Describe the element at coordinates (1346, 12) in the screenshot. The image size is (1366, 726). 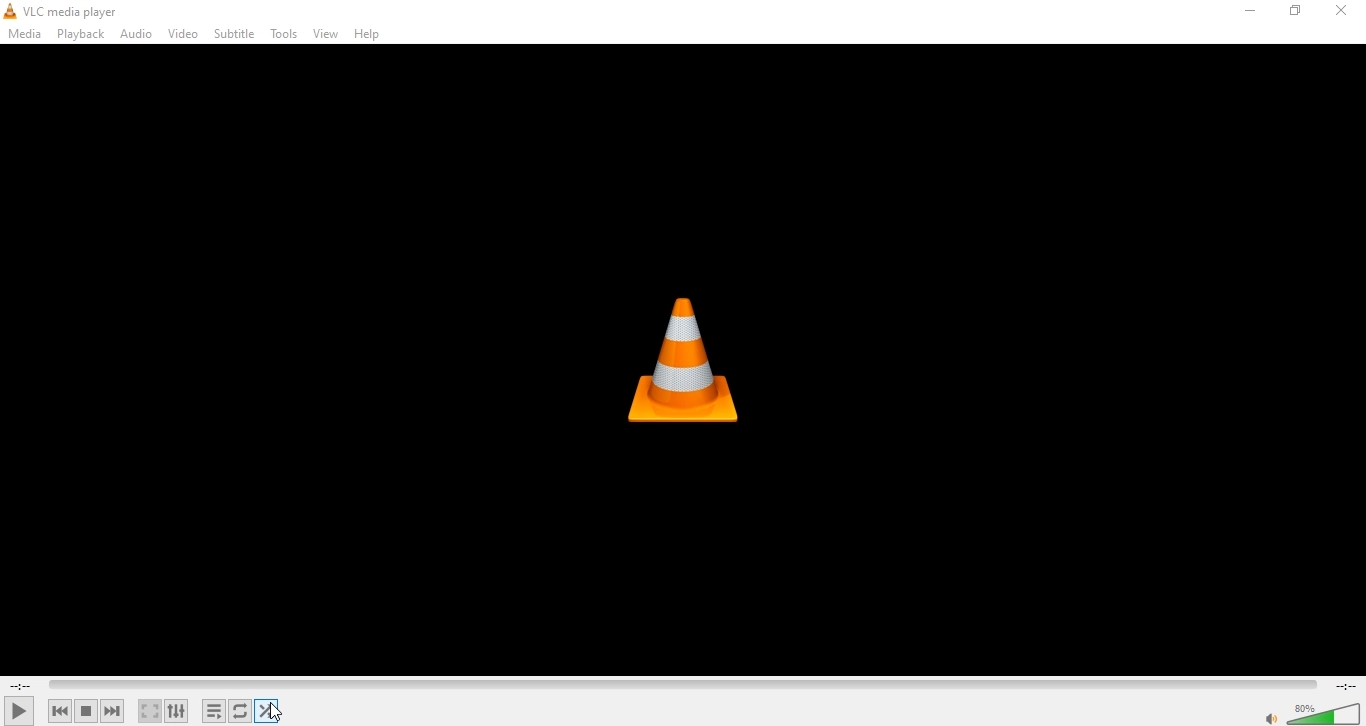
I see `close` at that location.